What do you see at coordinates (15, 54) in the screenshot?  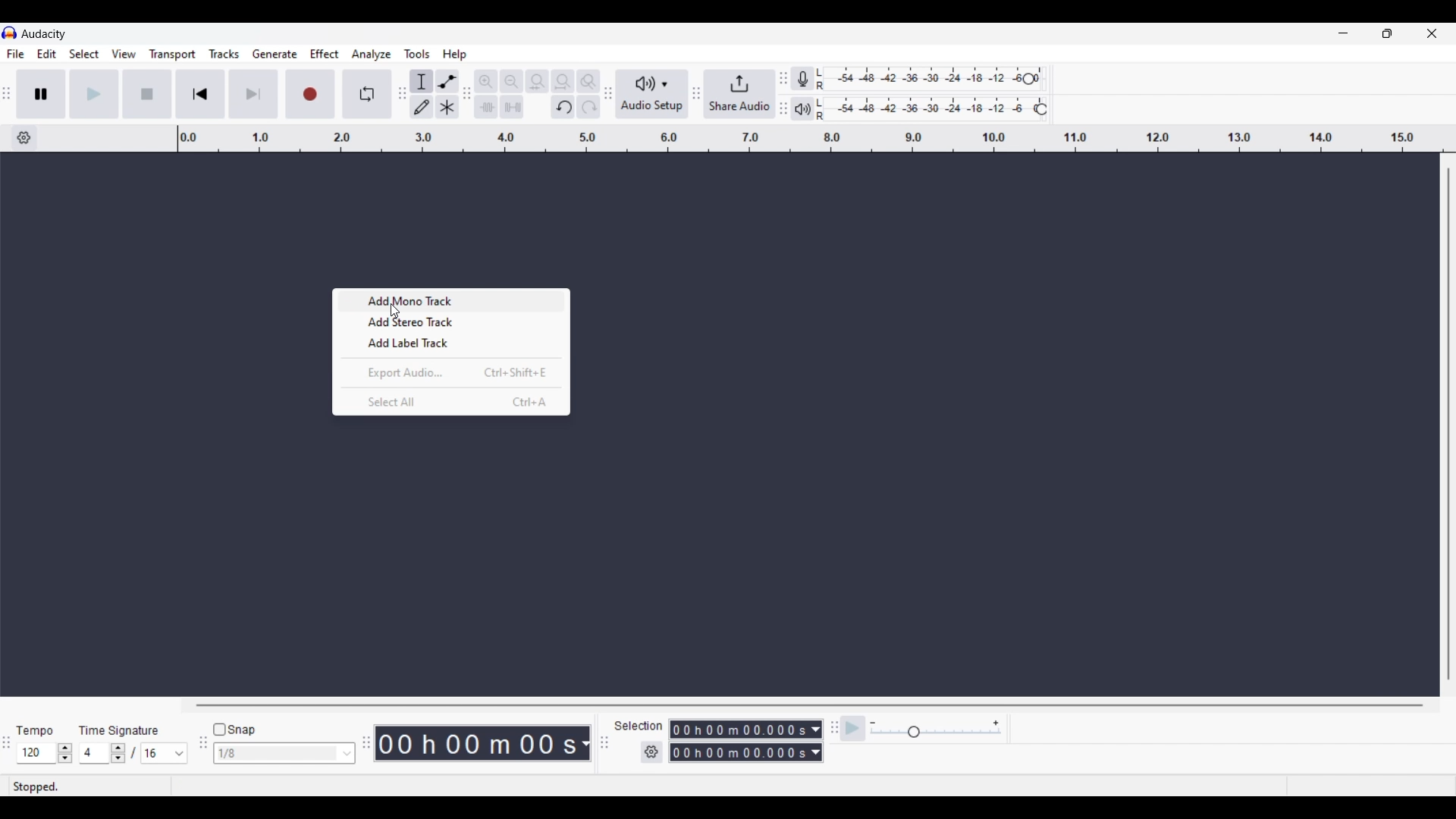 I see `File menu` at bounding box center [15, 54].